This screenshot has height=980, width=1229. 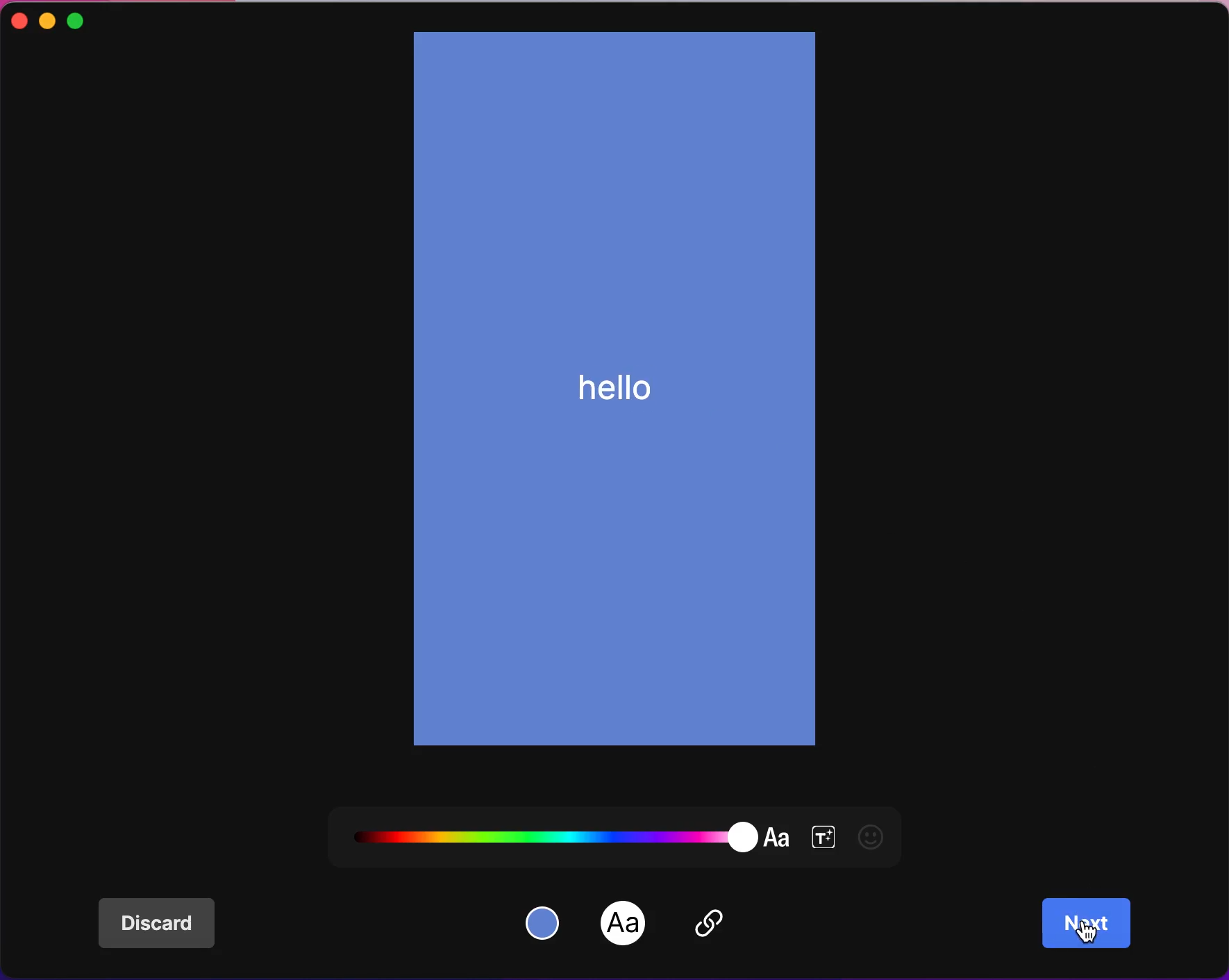 I want to click on font, so click(x=624, y=924).